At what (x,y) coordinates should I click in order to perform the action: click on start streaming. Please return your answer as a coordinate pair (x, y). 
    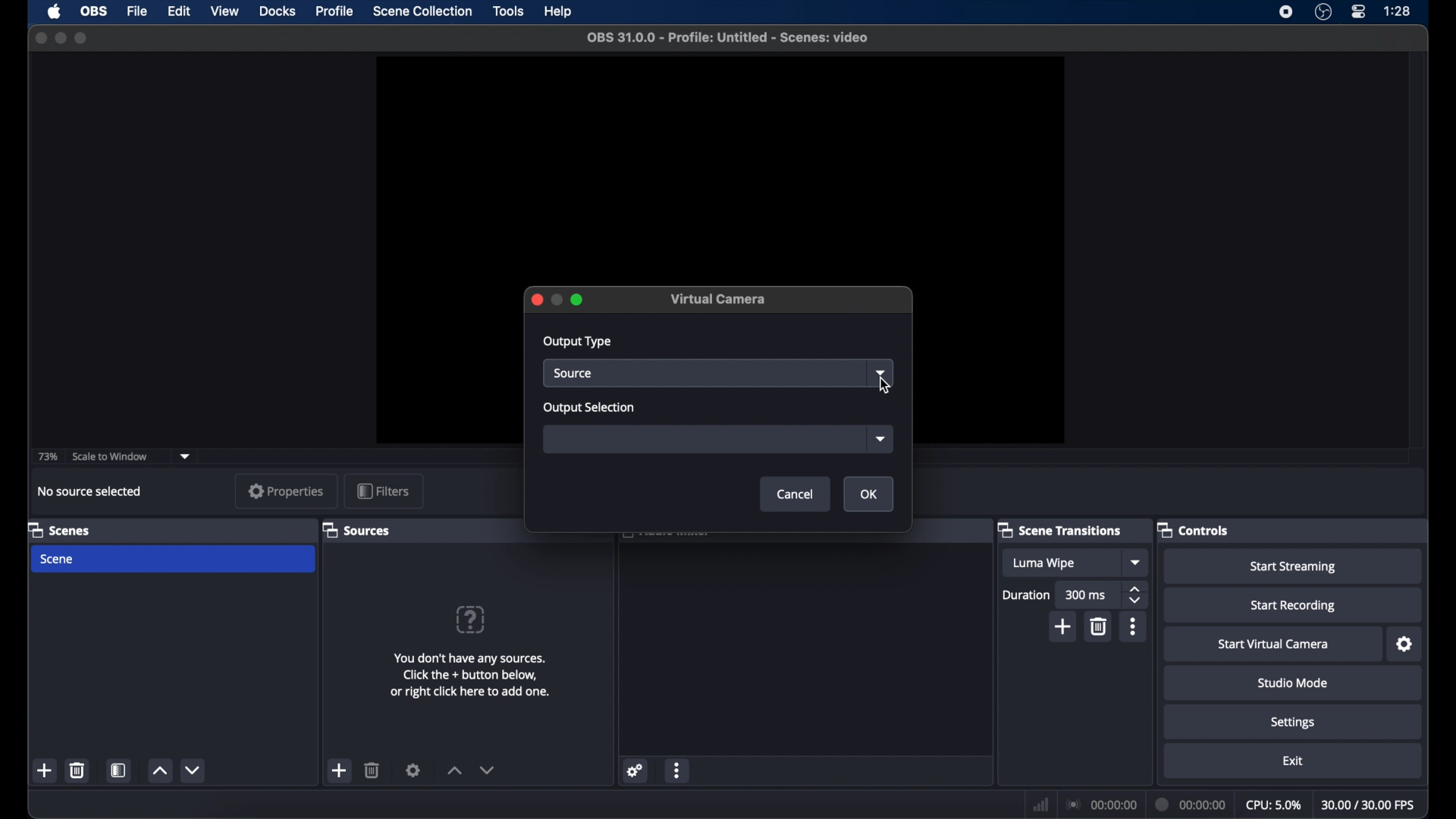
    Looking at the image, I should click on (1293, 566).